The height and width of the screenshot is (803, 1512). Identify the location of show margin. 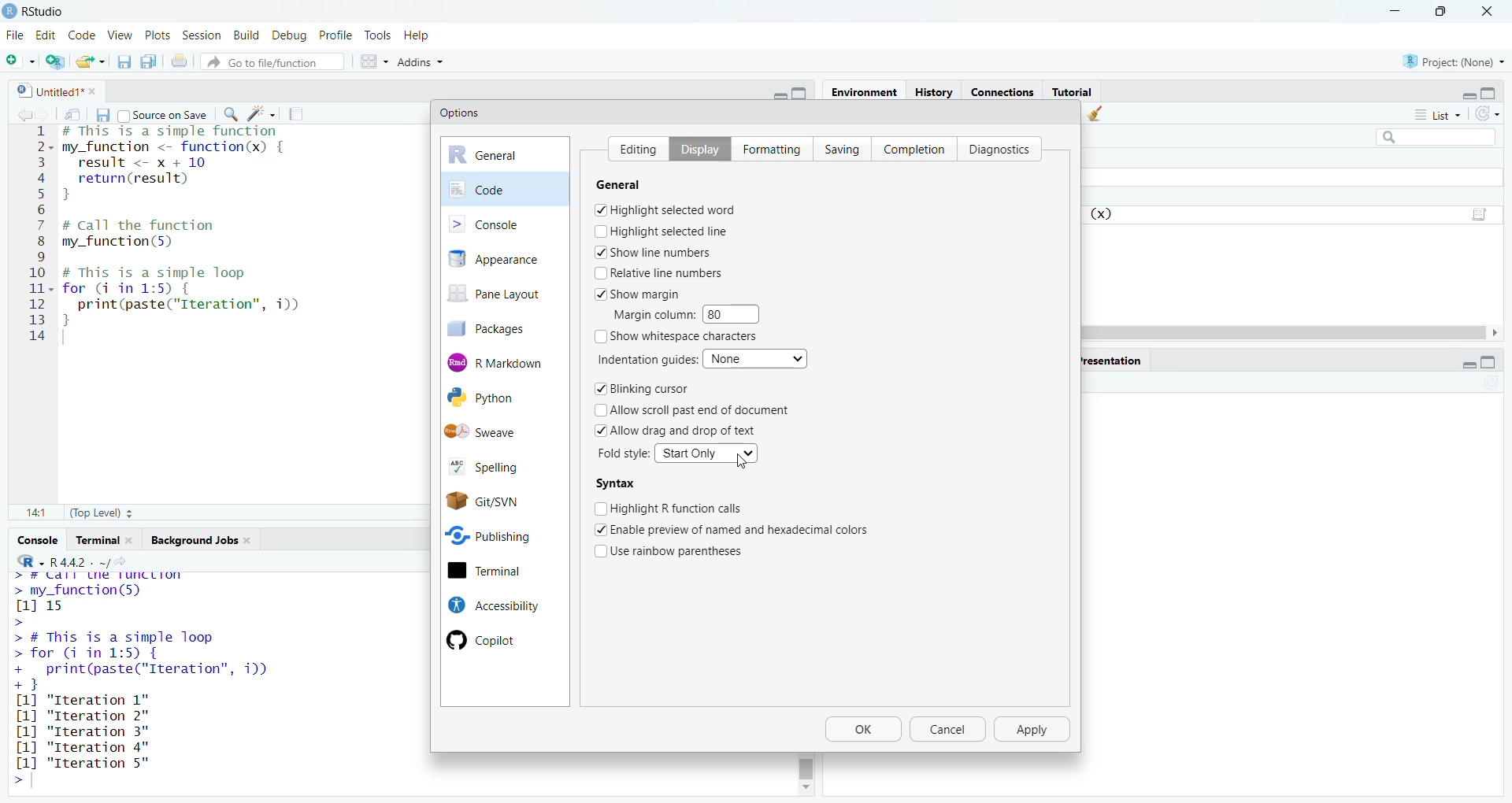
(644, 293).